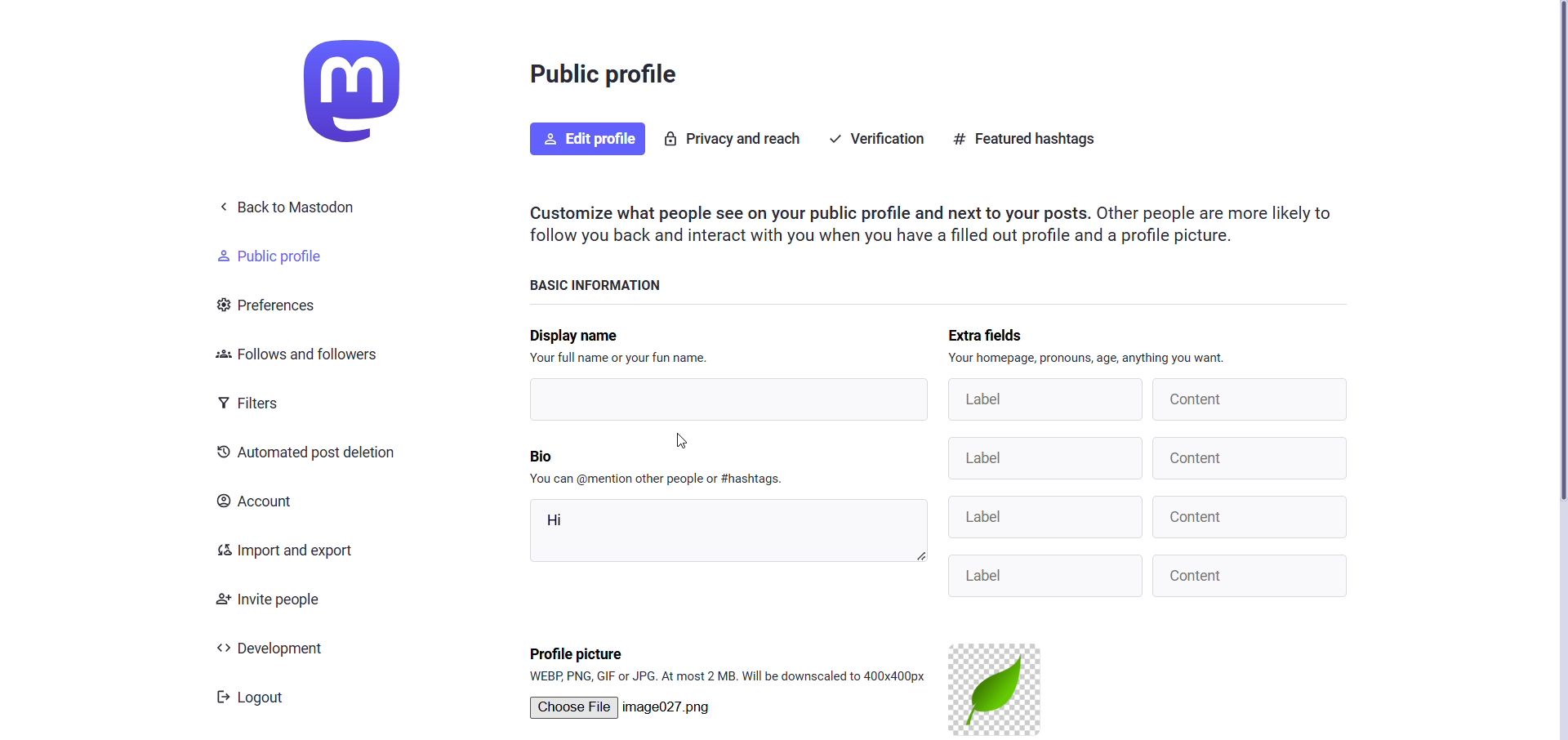 The image size is (1568, 740). Describe the element at coordinates (251, 407) in the screenshot. I see `filters` at that location.